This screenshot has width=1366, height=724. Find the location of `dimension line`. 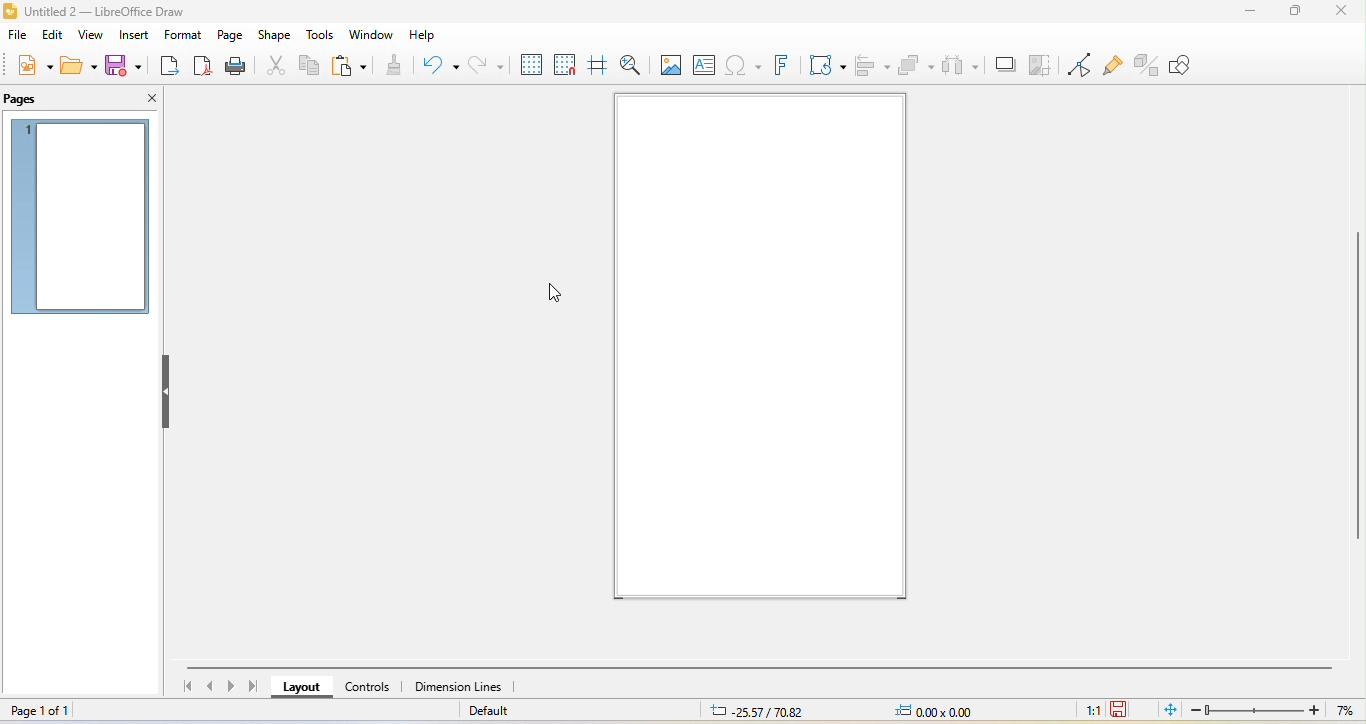

dimension line is located at coordinates (459, 688).